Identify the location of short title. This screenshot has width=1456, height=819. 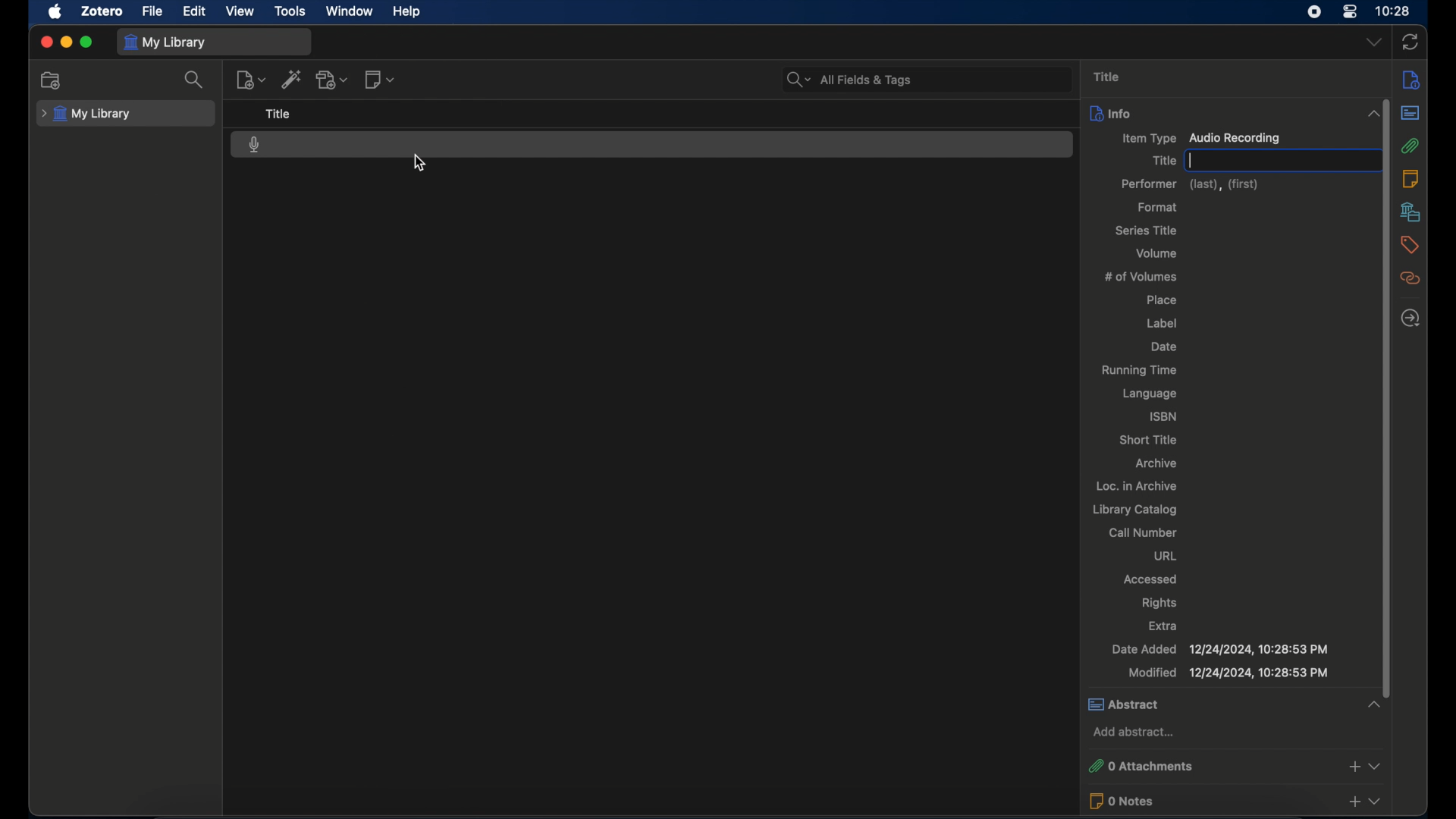
(1150, 440).